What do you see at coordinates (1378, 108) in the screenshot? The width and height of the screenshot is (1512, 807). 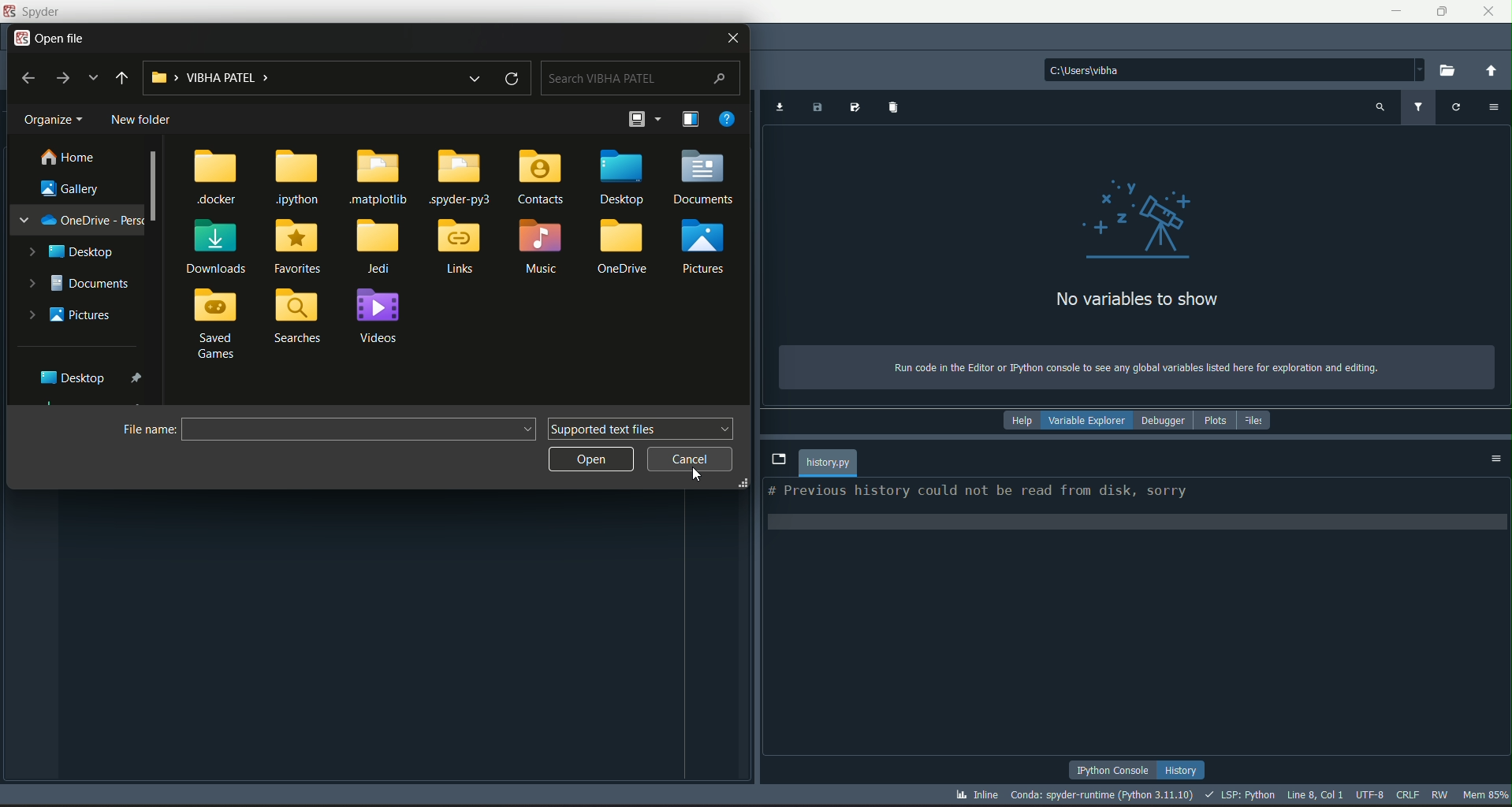 I see `search variable` at bounding box center [1378, 108].